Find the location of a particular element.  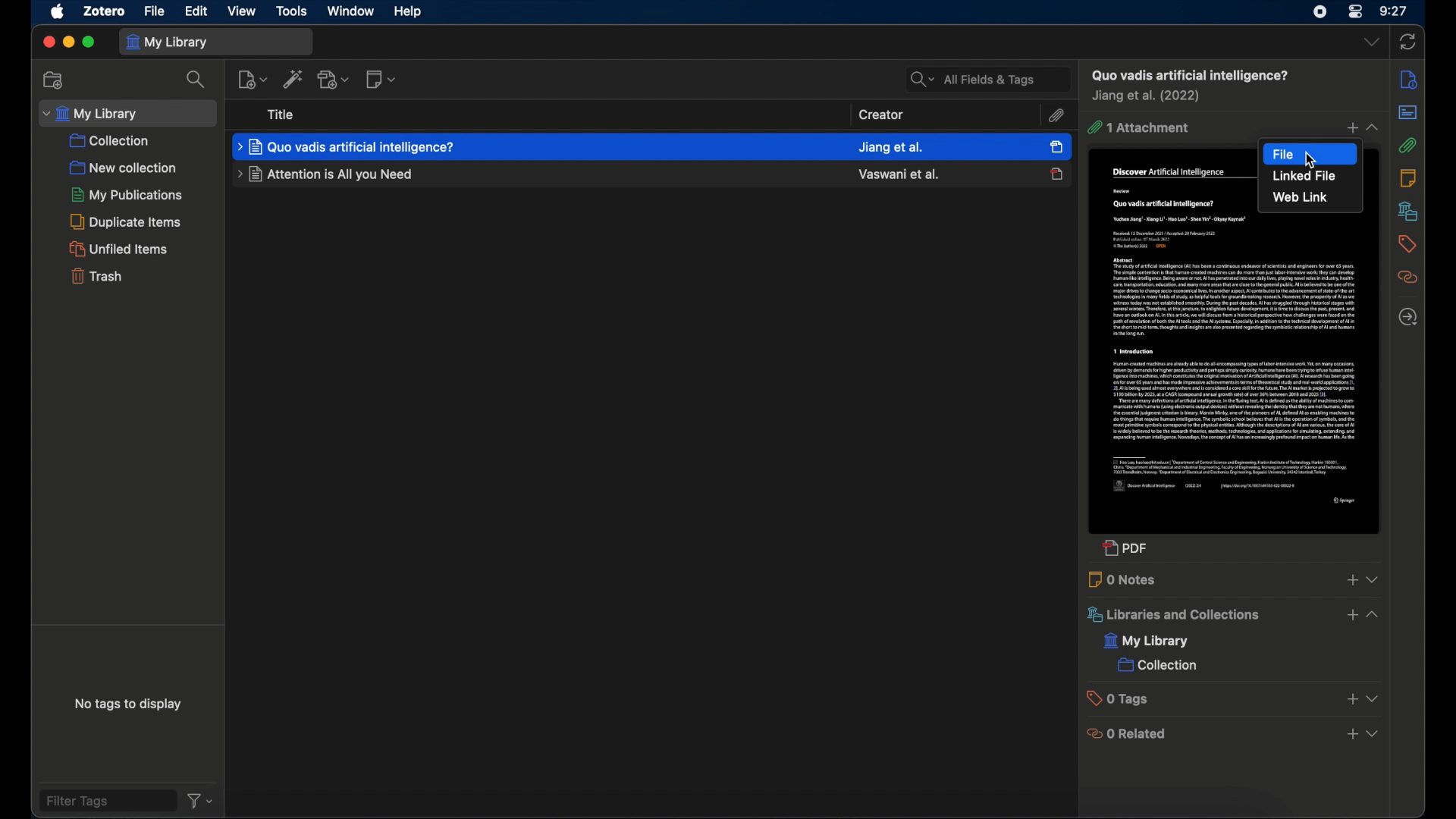

view is located at coordinates (242, 11).